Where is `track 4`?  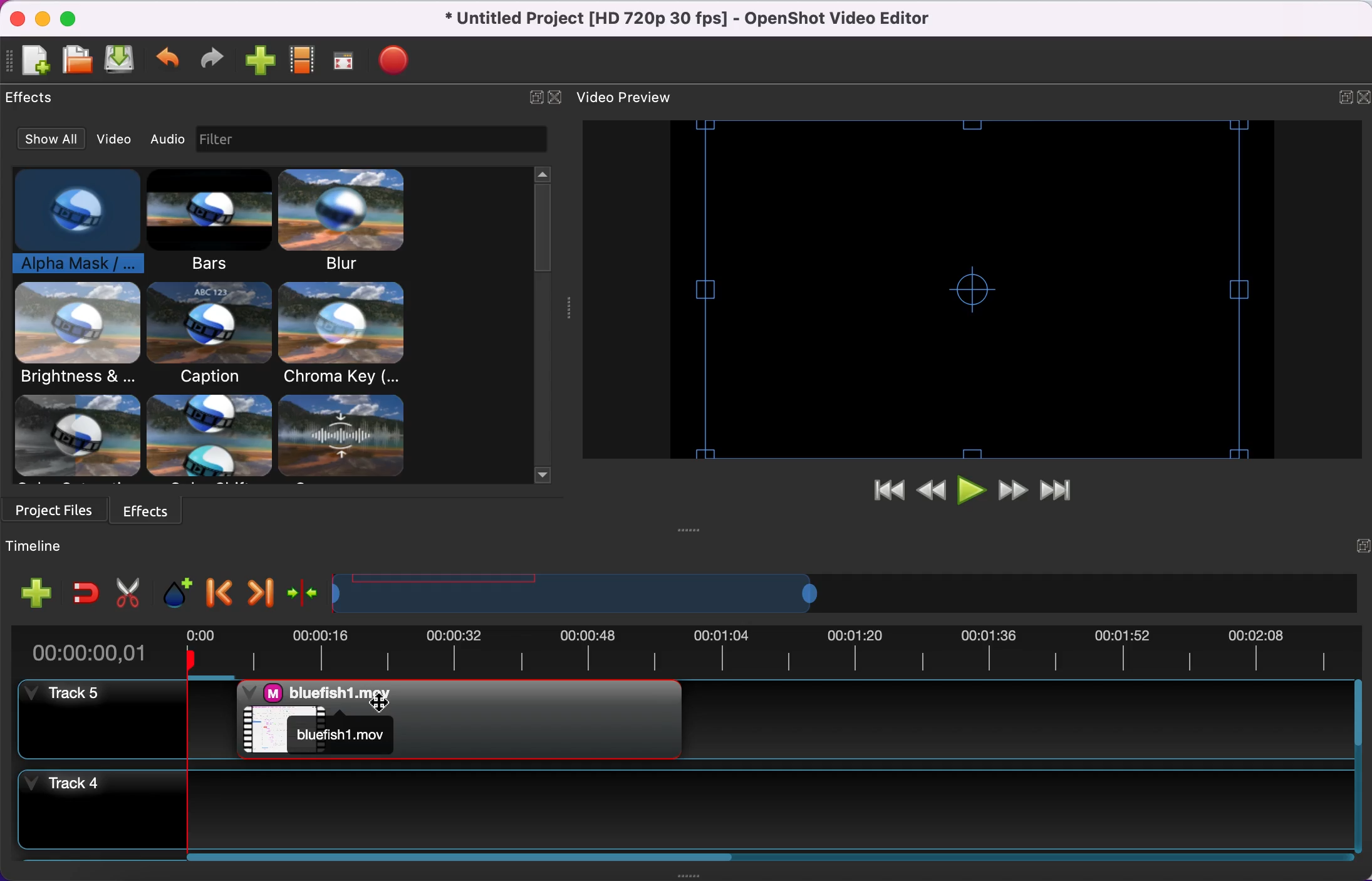
track 4 is located at coordinates (694, 813).